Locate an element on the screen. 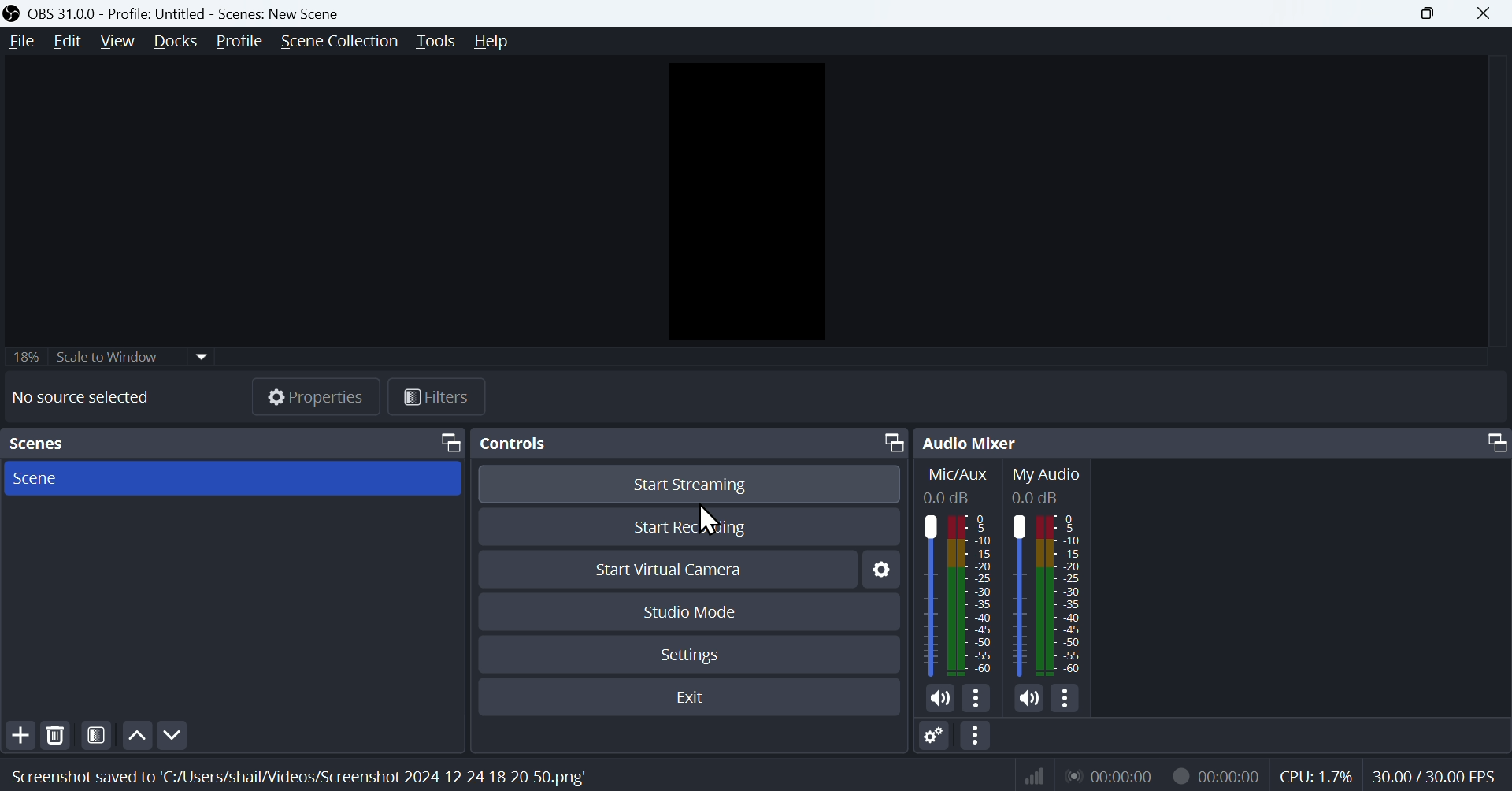  Scene Collection is located at coordinates (336, 43).